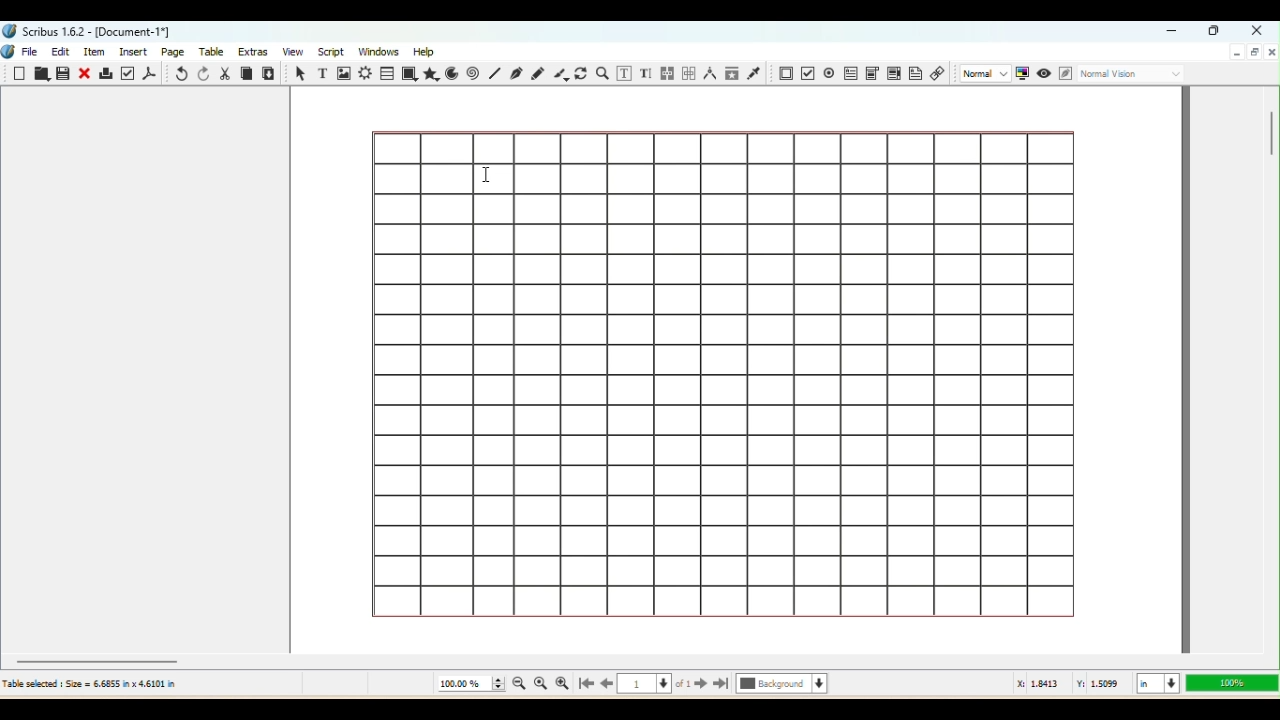  What do you see at coordinates (603, 72) in the screenshot?
I see `Zoom In or Out` at bounding box center [603, 72].